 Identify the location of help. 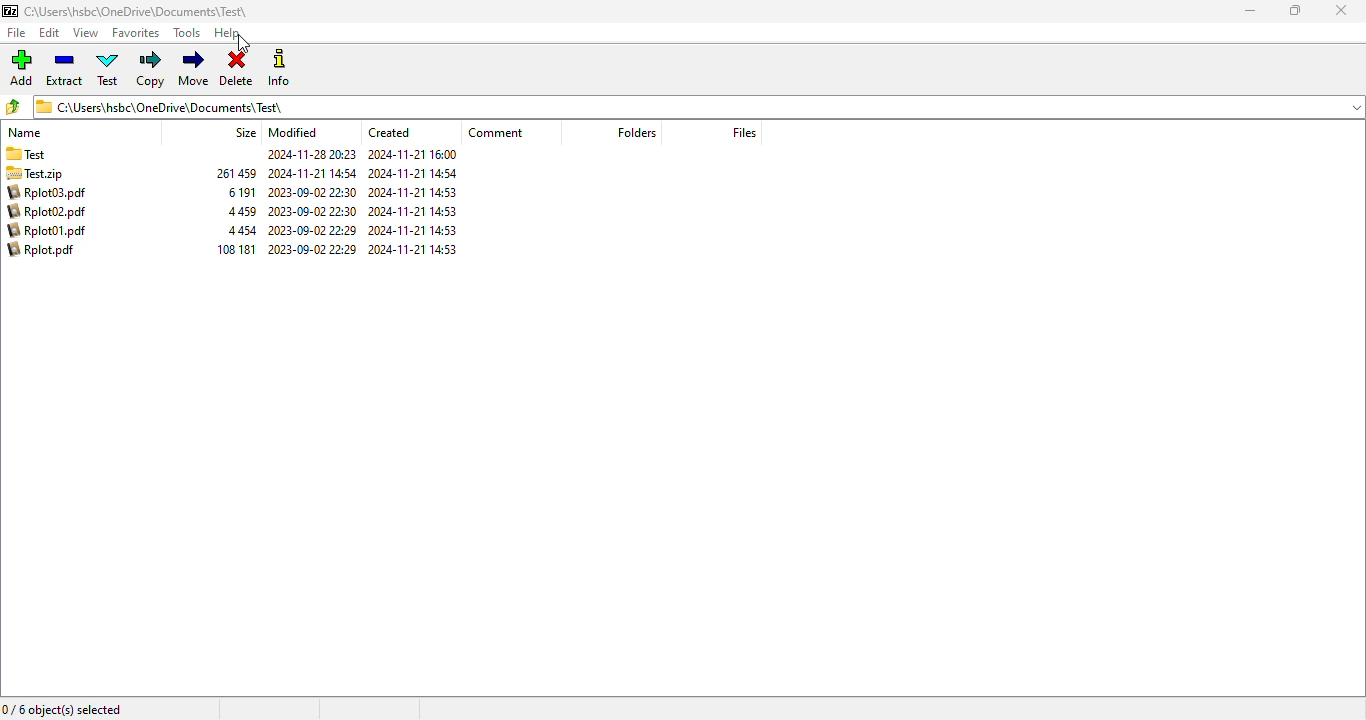
(227, 33).